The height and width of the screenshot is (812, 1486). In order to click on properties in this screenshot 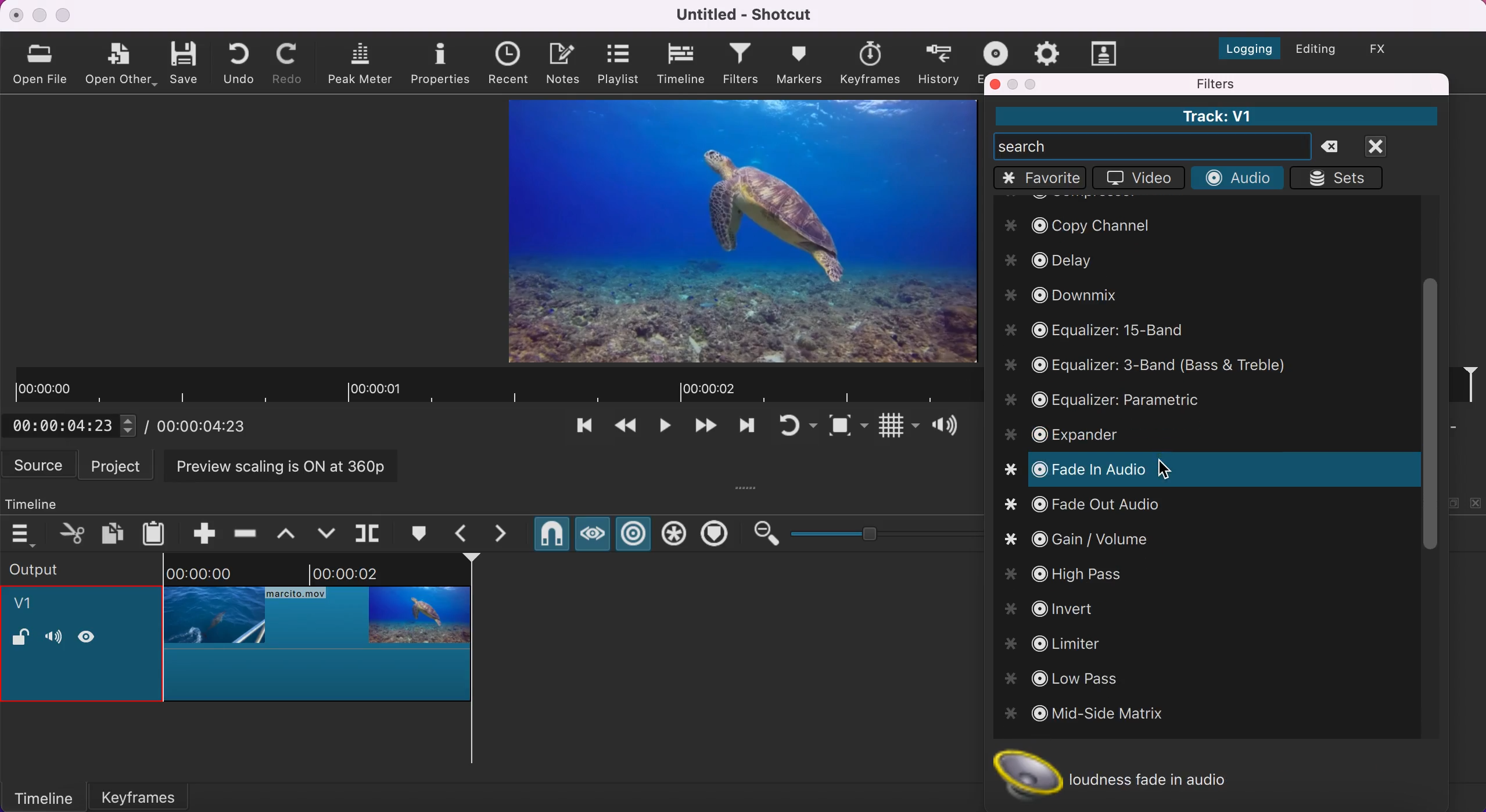, I will do `click(442, 62)`.